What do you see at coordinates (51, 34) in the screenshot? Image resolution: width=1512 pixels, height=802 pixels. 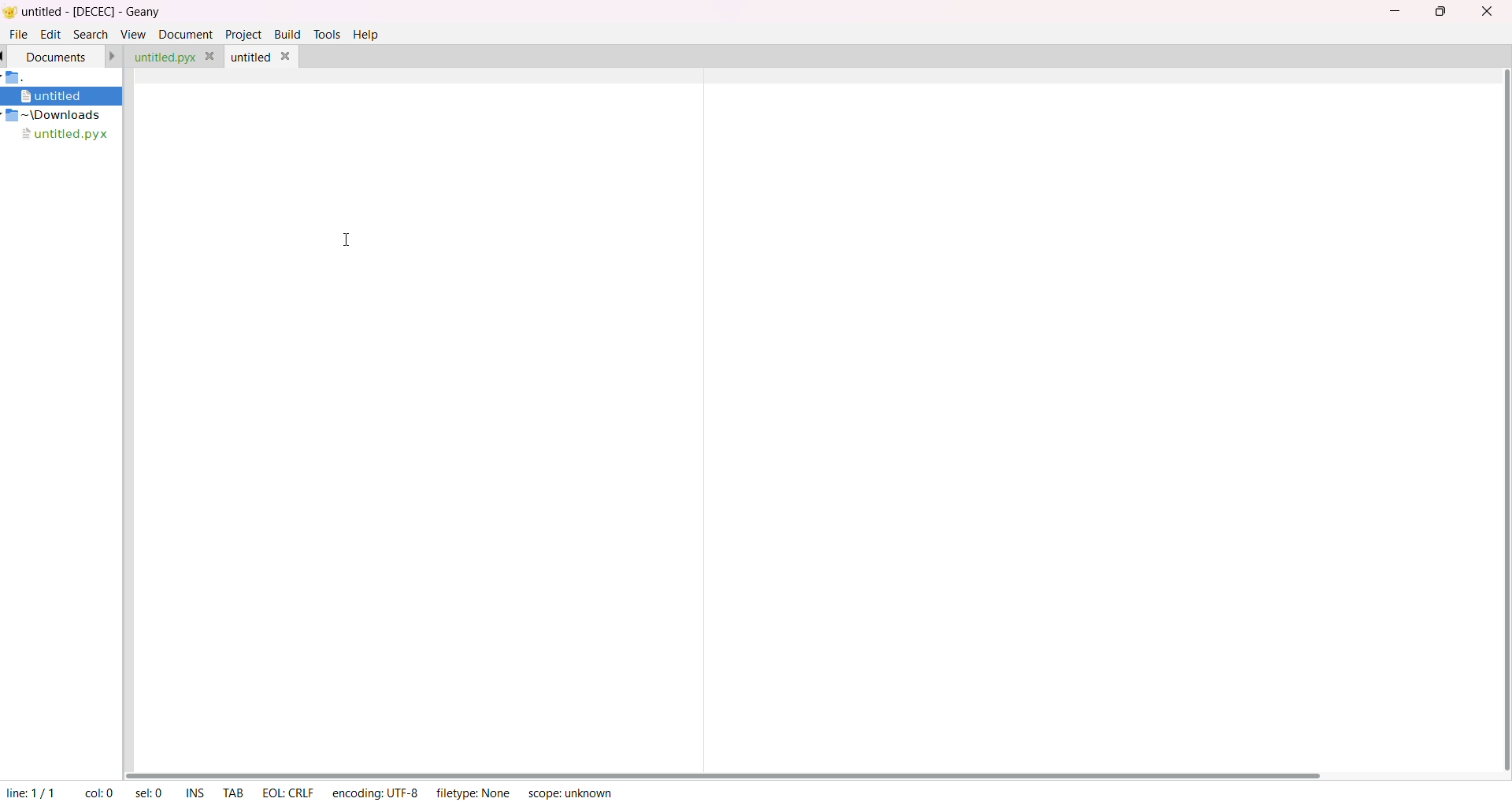 I see `edit` at bounding box center [51, 34].